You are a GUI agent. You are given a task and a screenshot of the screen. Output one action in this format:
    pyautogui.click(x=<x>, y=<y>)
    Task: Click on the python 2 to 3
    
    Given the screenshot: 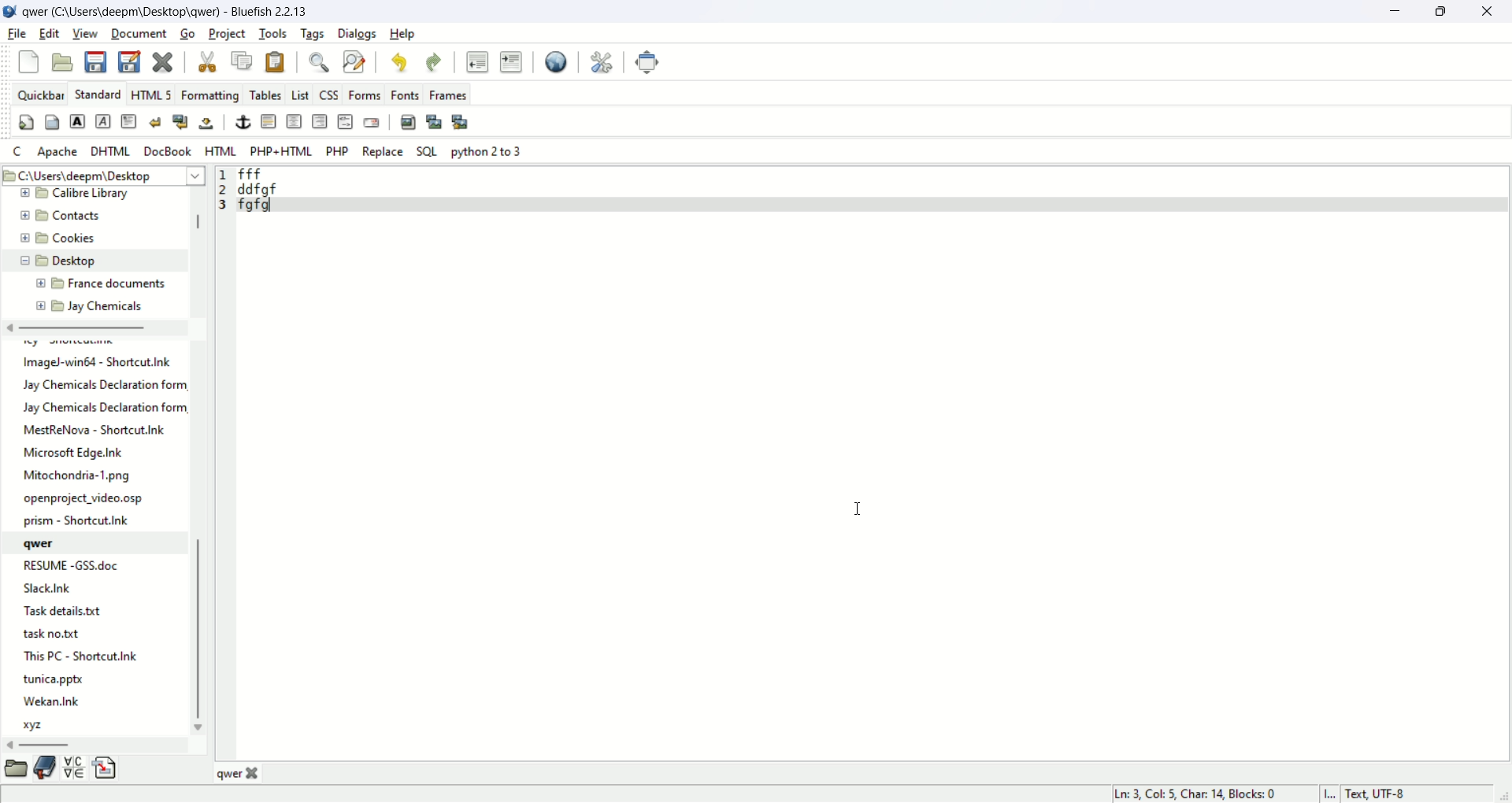 What is the action you would take?
    pyautogui.click(x=486, y=150)
    